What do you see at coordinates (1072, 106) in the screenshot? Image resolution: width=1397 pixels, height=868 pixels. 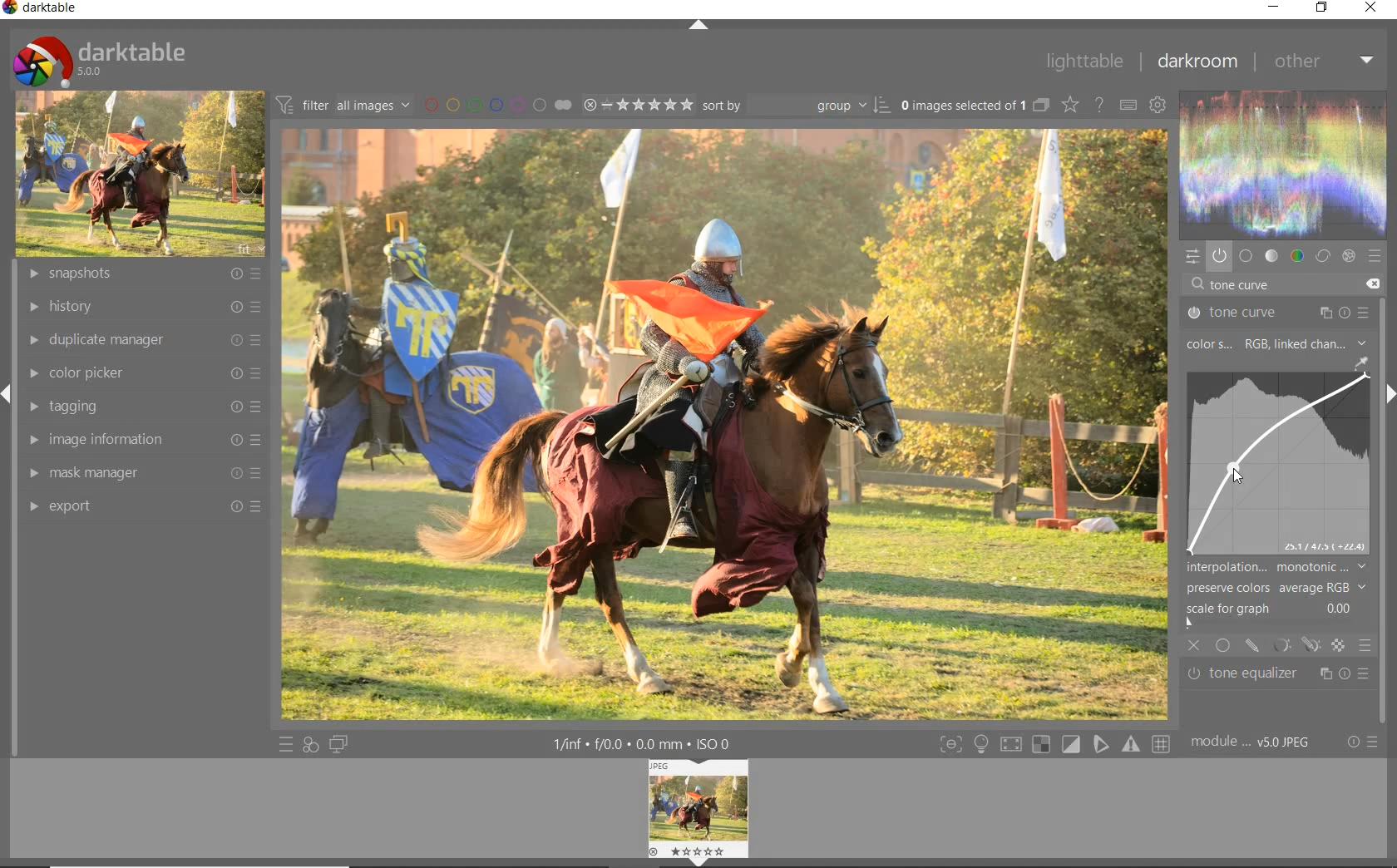 I see `change type of overlays` at bounding box center [1072, 106].